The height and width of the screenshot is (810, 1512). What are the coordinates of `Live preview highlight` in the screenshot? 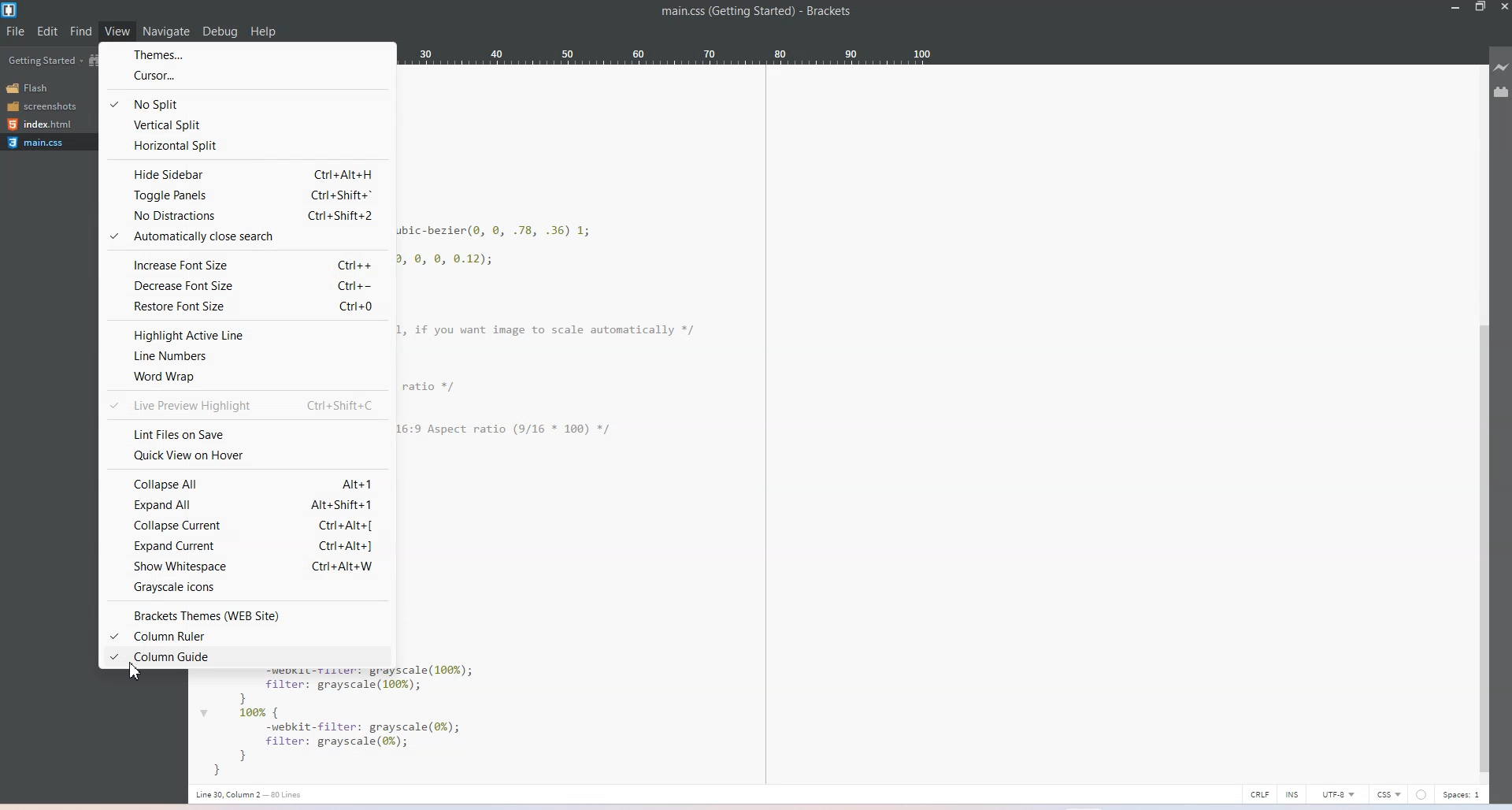 It's located at (247, 406).